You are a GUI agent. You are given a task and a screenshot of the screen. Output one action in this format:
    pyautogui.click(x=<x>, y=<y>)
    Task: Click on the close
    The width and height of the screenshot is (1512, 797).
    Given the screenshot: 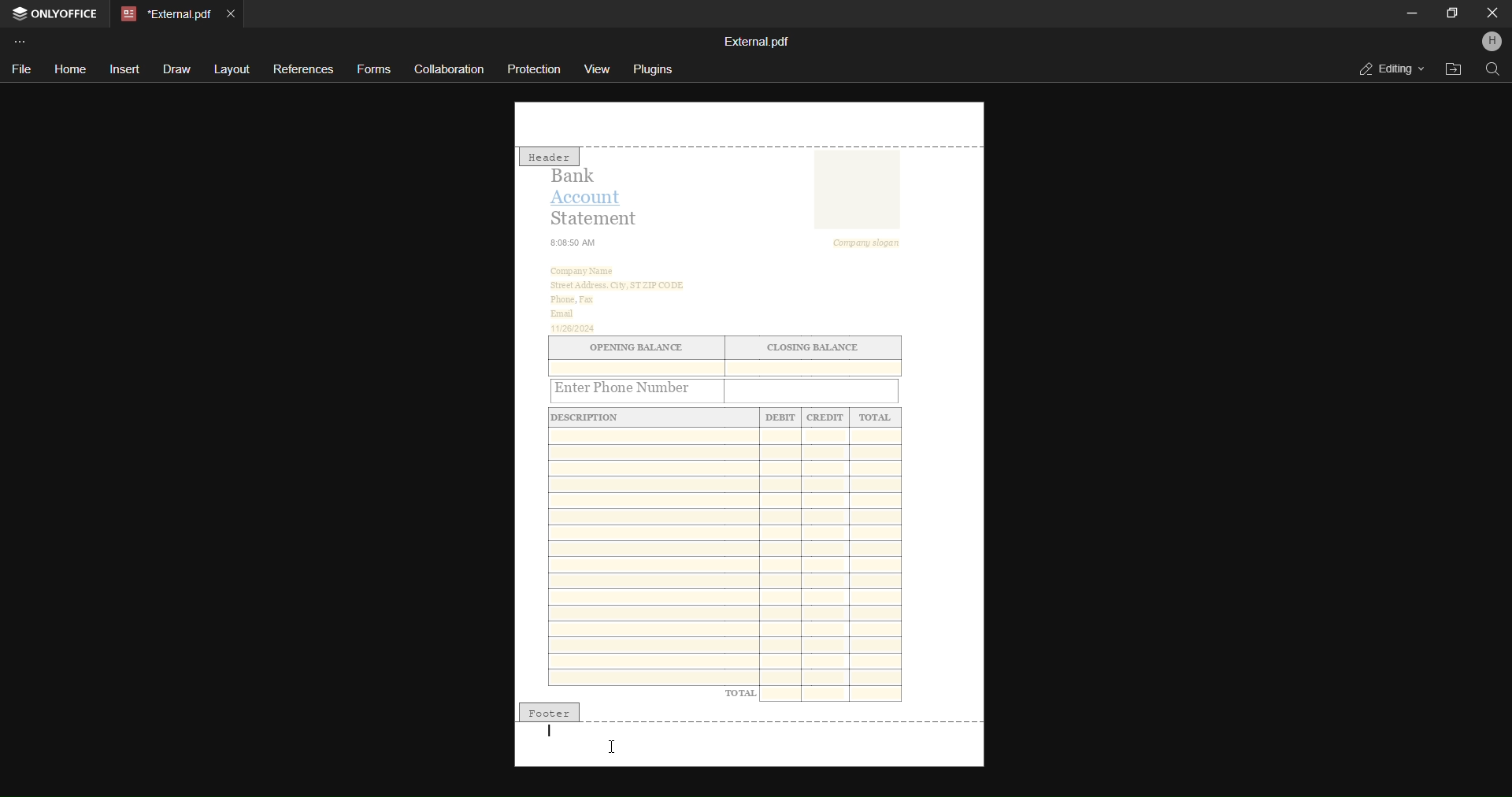 What is the action you would take?
    pyautogui.click(x=1488, y=13)
    